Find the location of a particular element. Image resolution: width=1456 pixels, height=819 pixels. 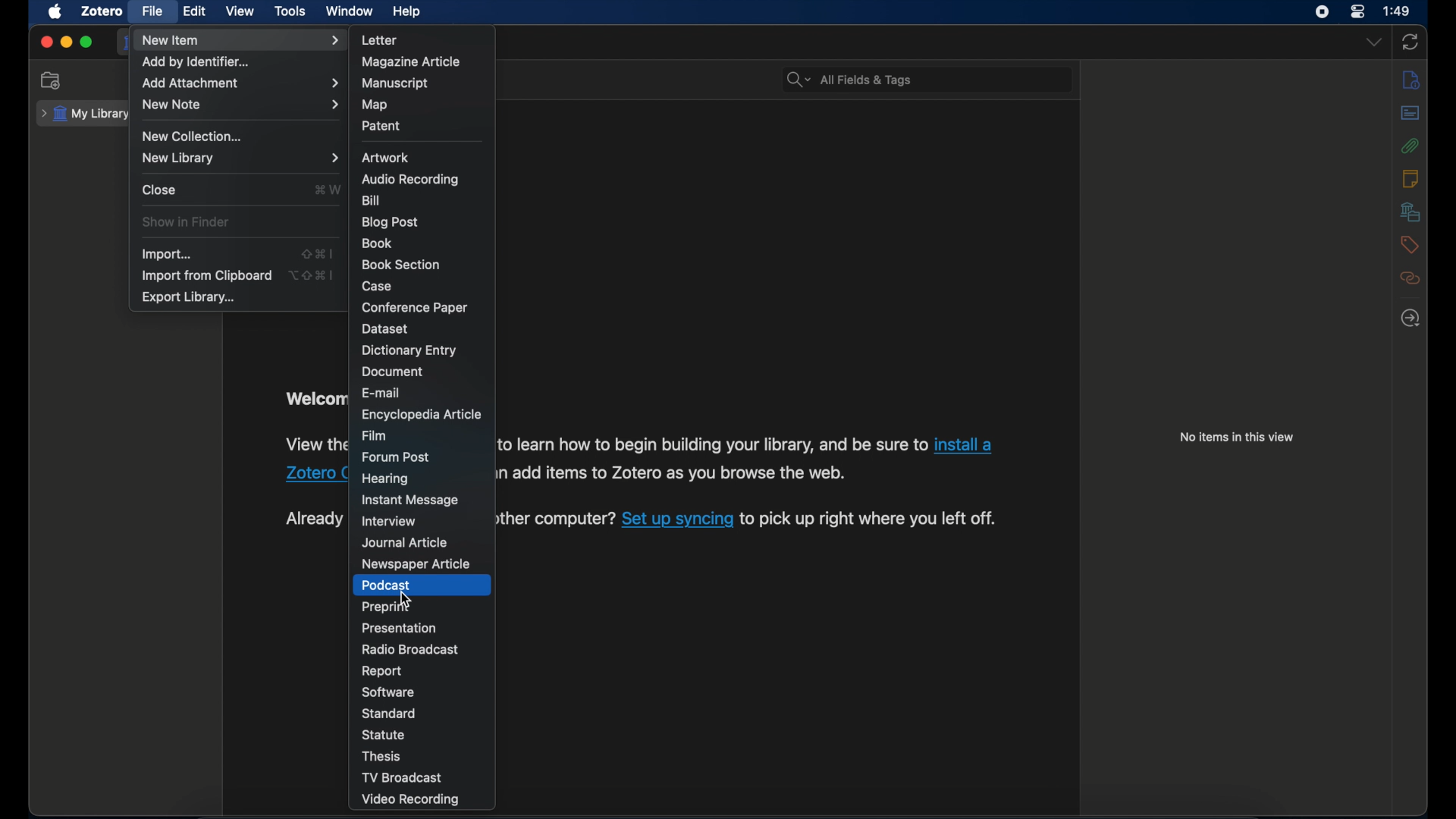

book section is located at coordinates (401, 265).